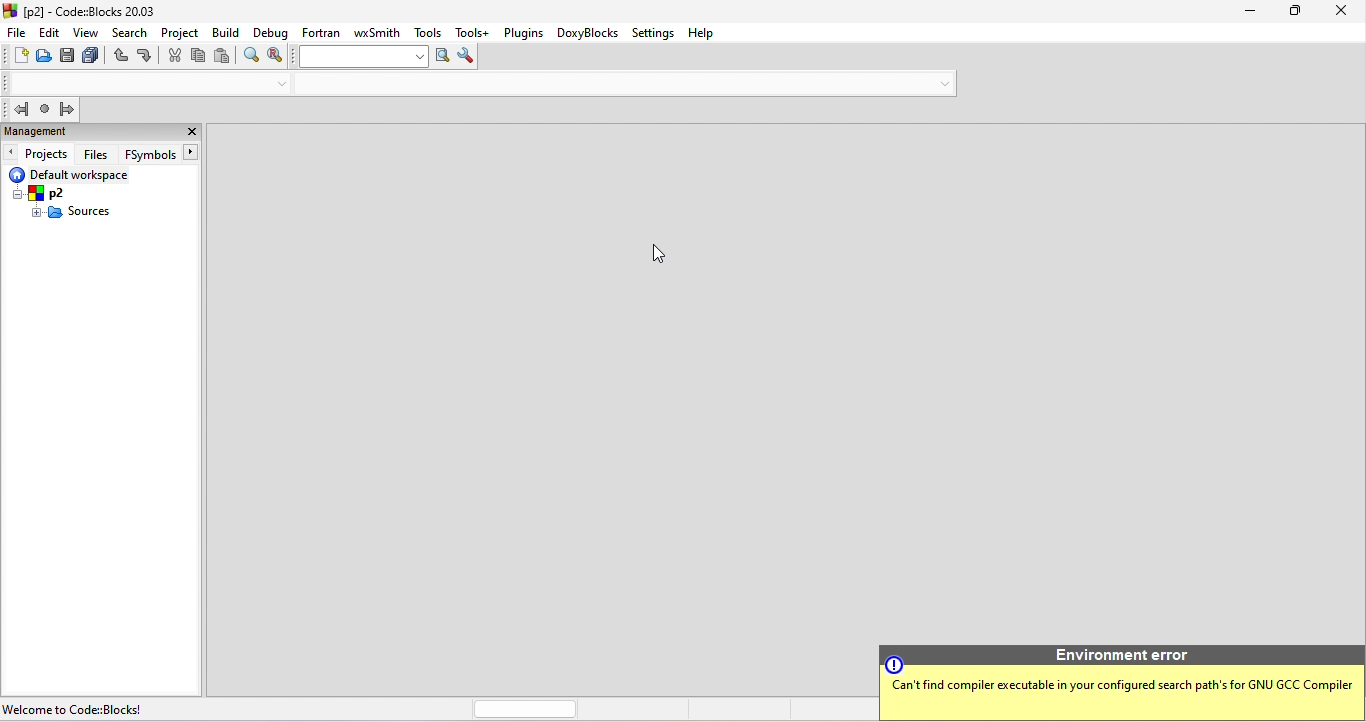 The height and width of the screenshot is (722, 1366). I want to click on help, so click(704, 36).